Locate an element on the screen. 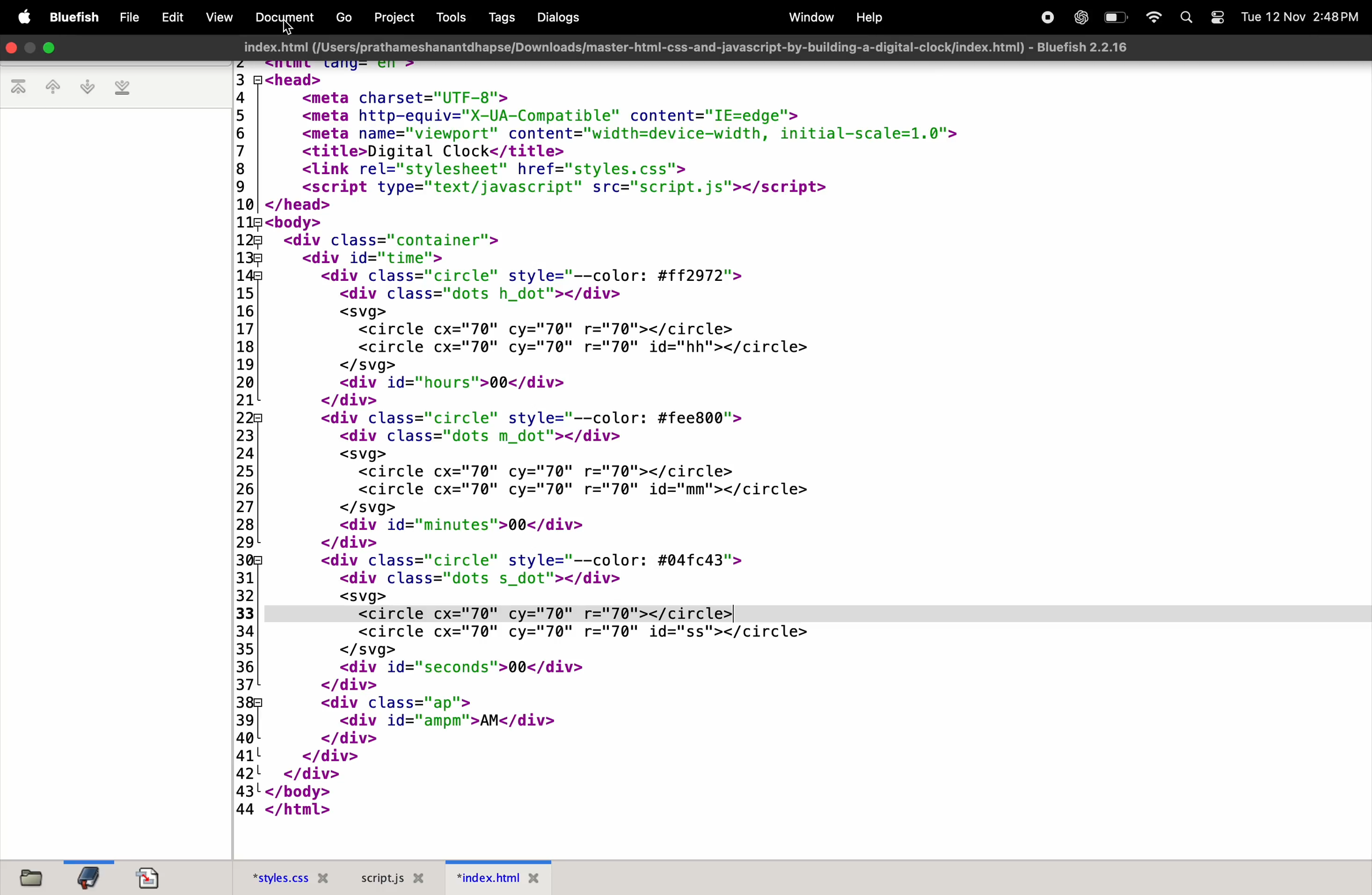 Image resolution: width=1372 pixels, height=895 pixels. battery is located at coordinates (1113, 17).